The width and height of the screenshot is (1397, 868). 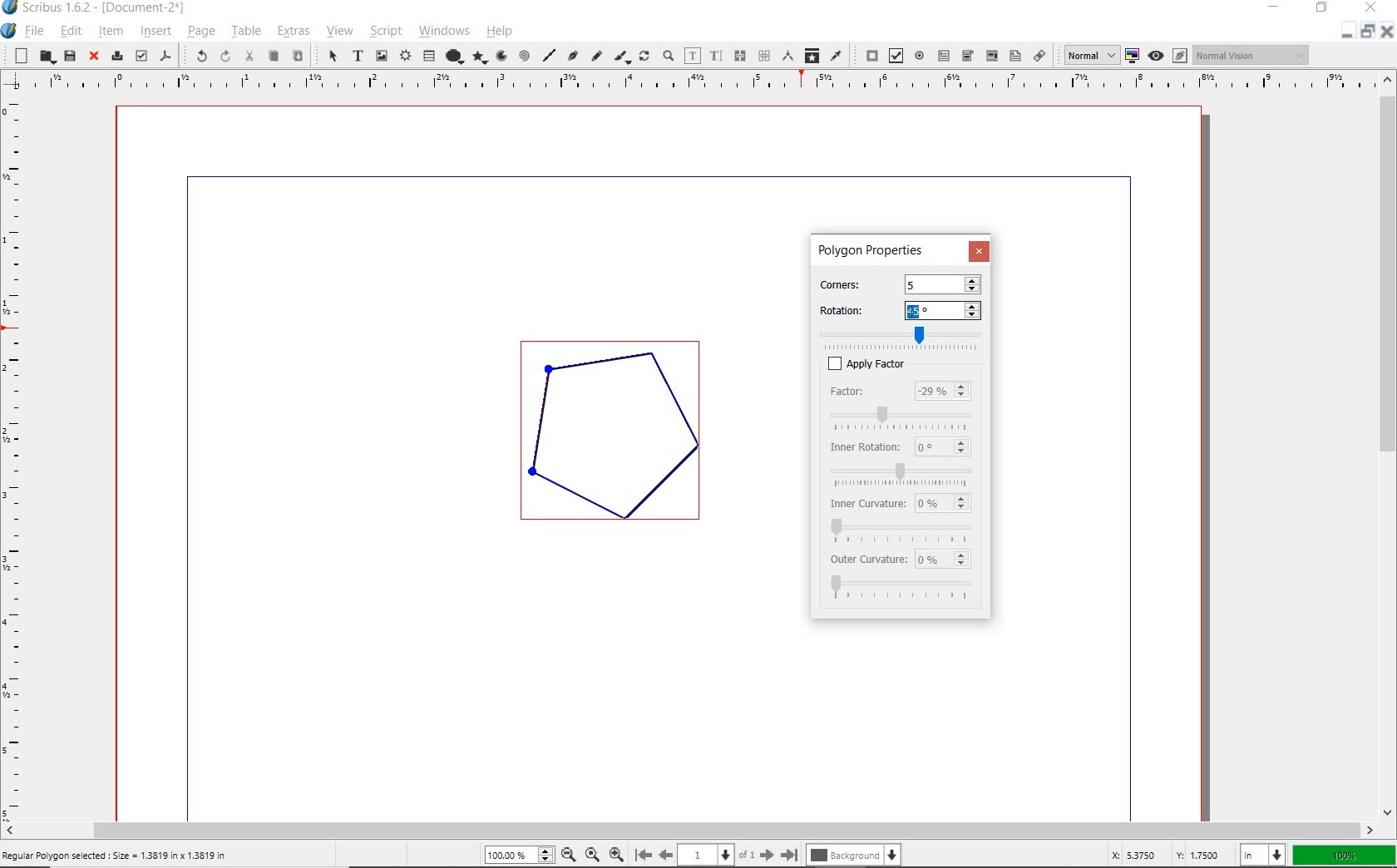 I want to click on OUTER CURVATURE, so click(x=869, y=560).